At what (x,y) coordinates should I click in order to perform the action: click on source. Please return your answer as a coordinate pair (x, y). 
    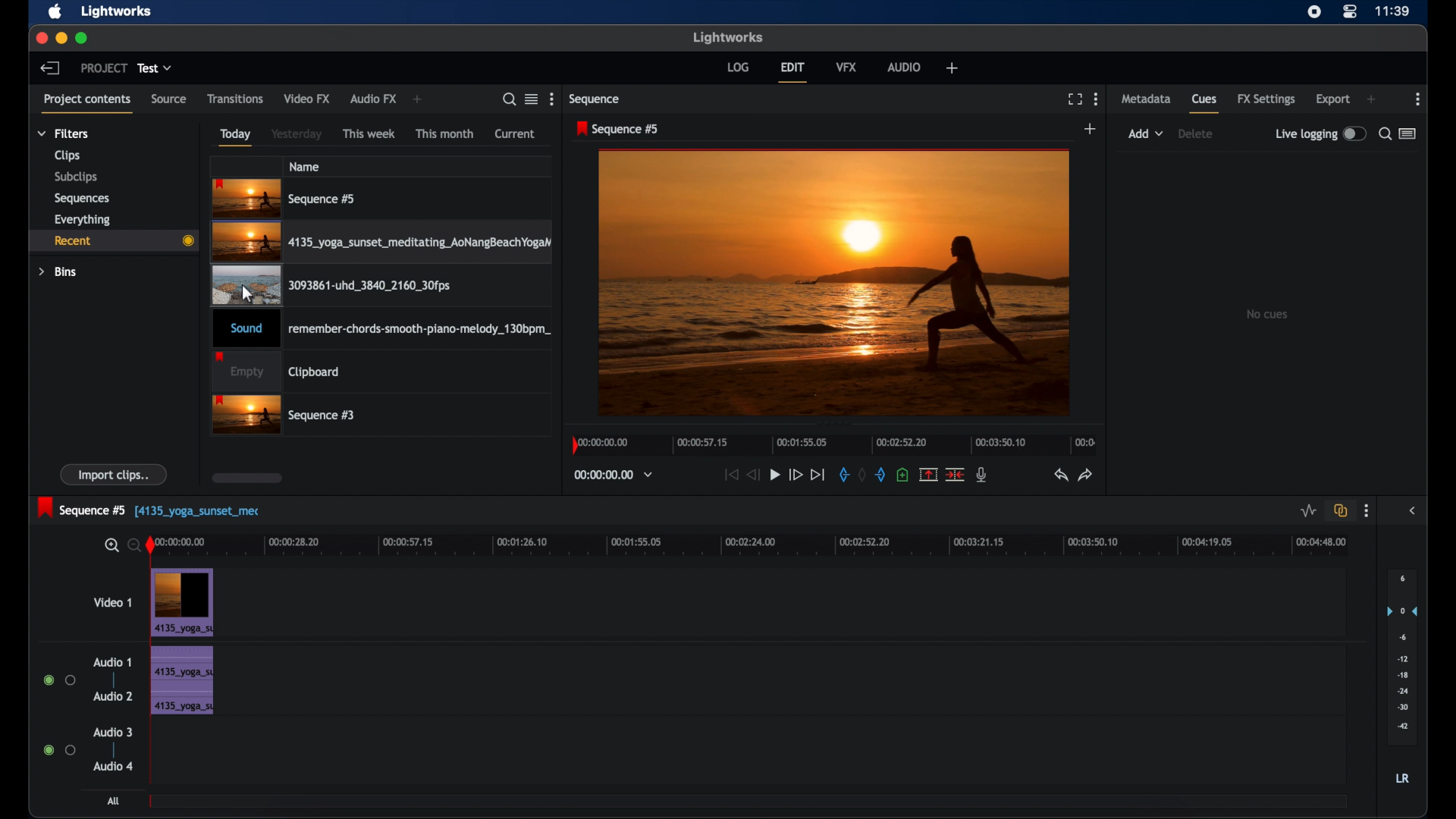
    Looking at the image, I should click on (169, 99).